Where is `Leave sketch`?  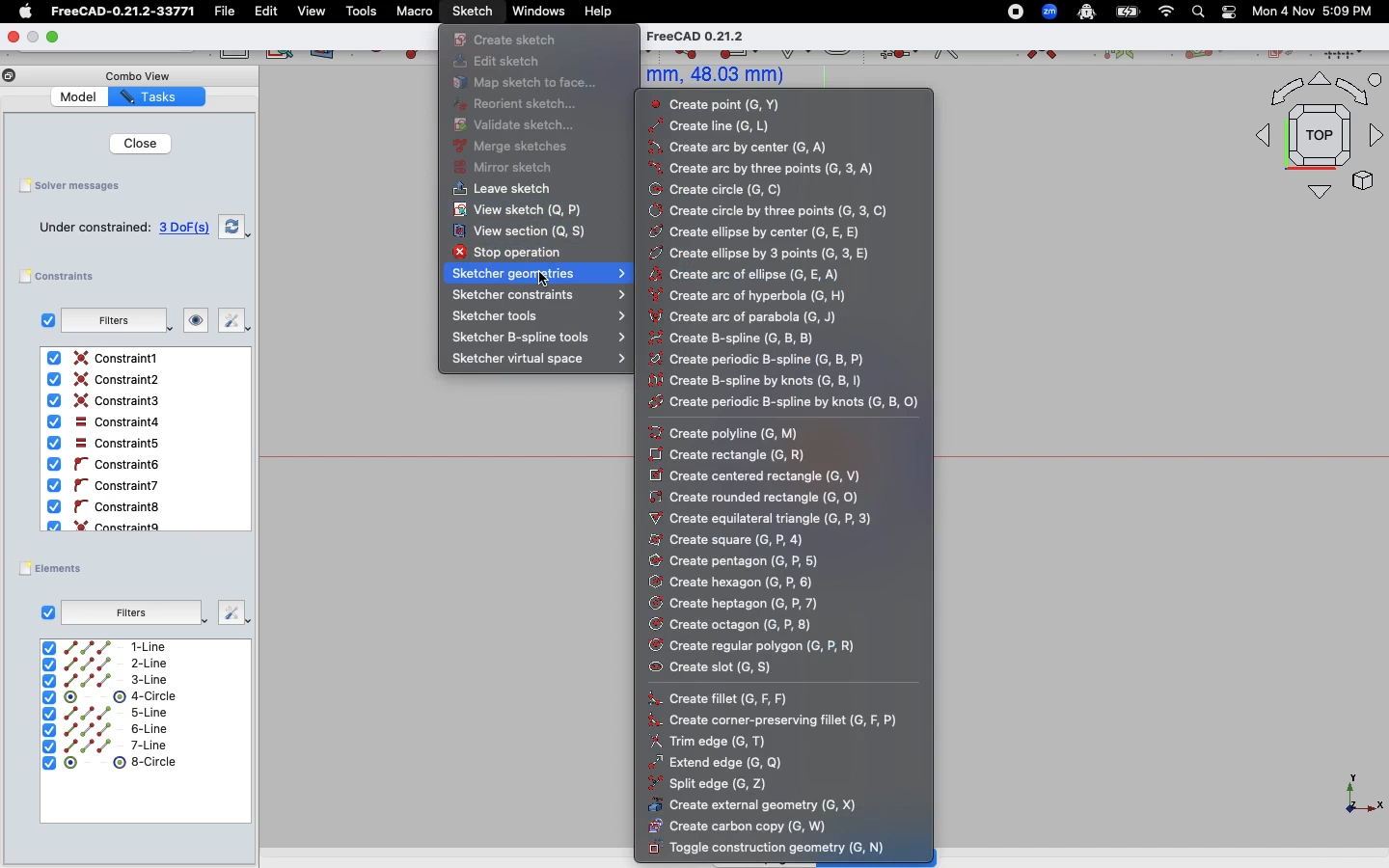
Leave sketch is located at coordinates (499, 191).